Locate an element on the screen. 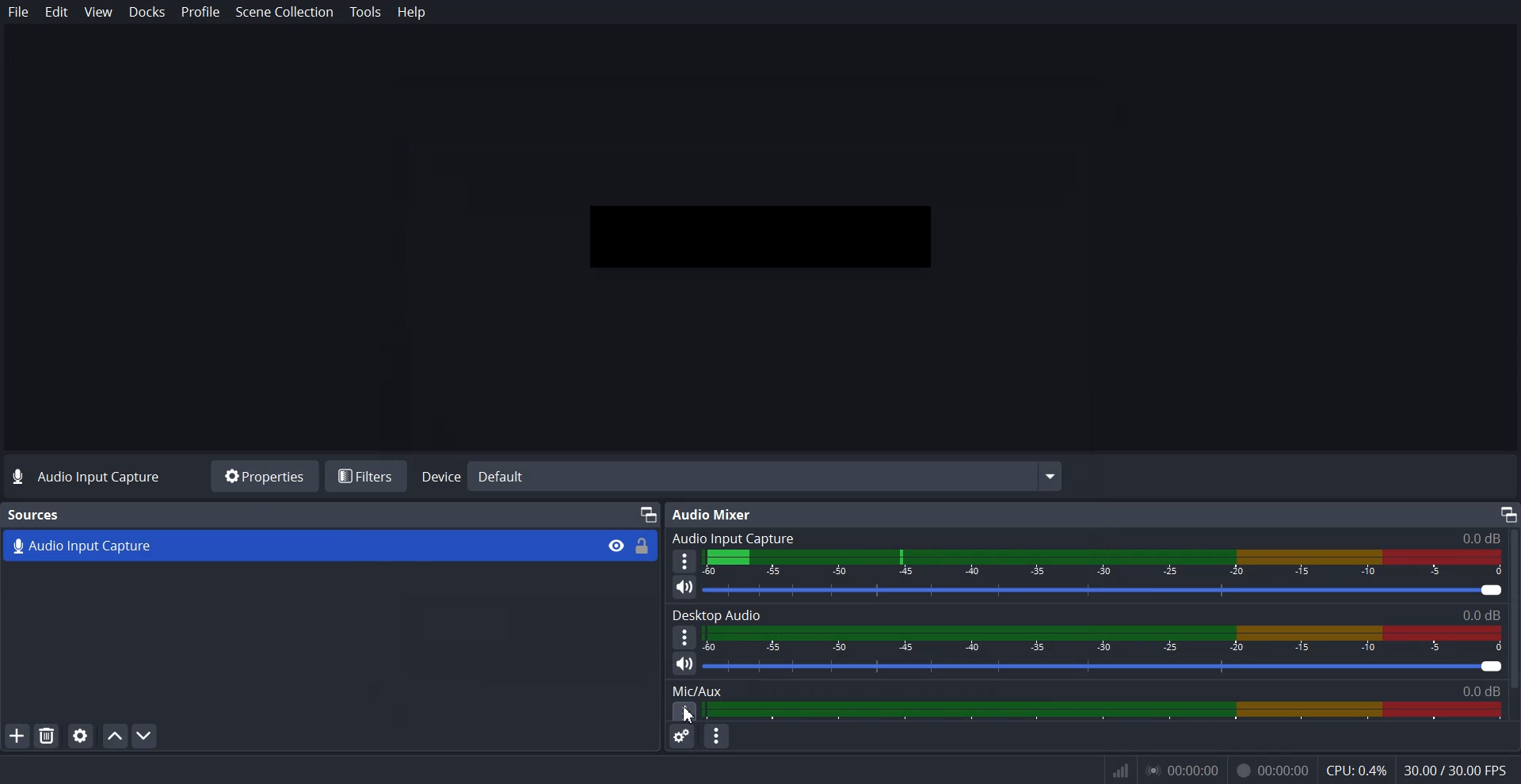 Image resolution: width=1521 pixels, height=784 pixels. Audio mixer menu is located at coordinates (720, 737).